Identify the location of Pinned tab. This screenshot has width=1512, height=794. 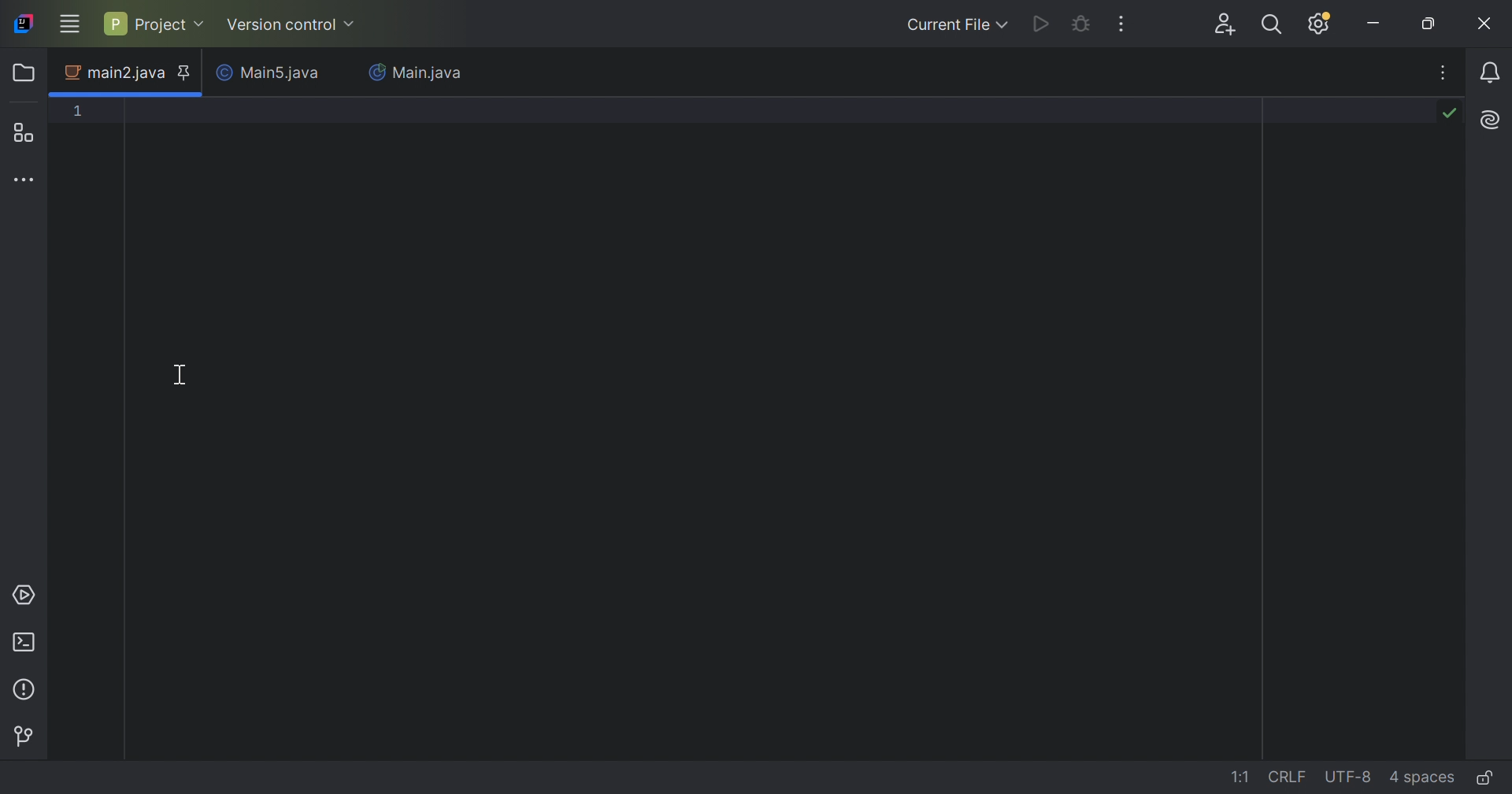
(183, 72).